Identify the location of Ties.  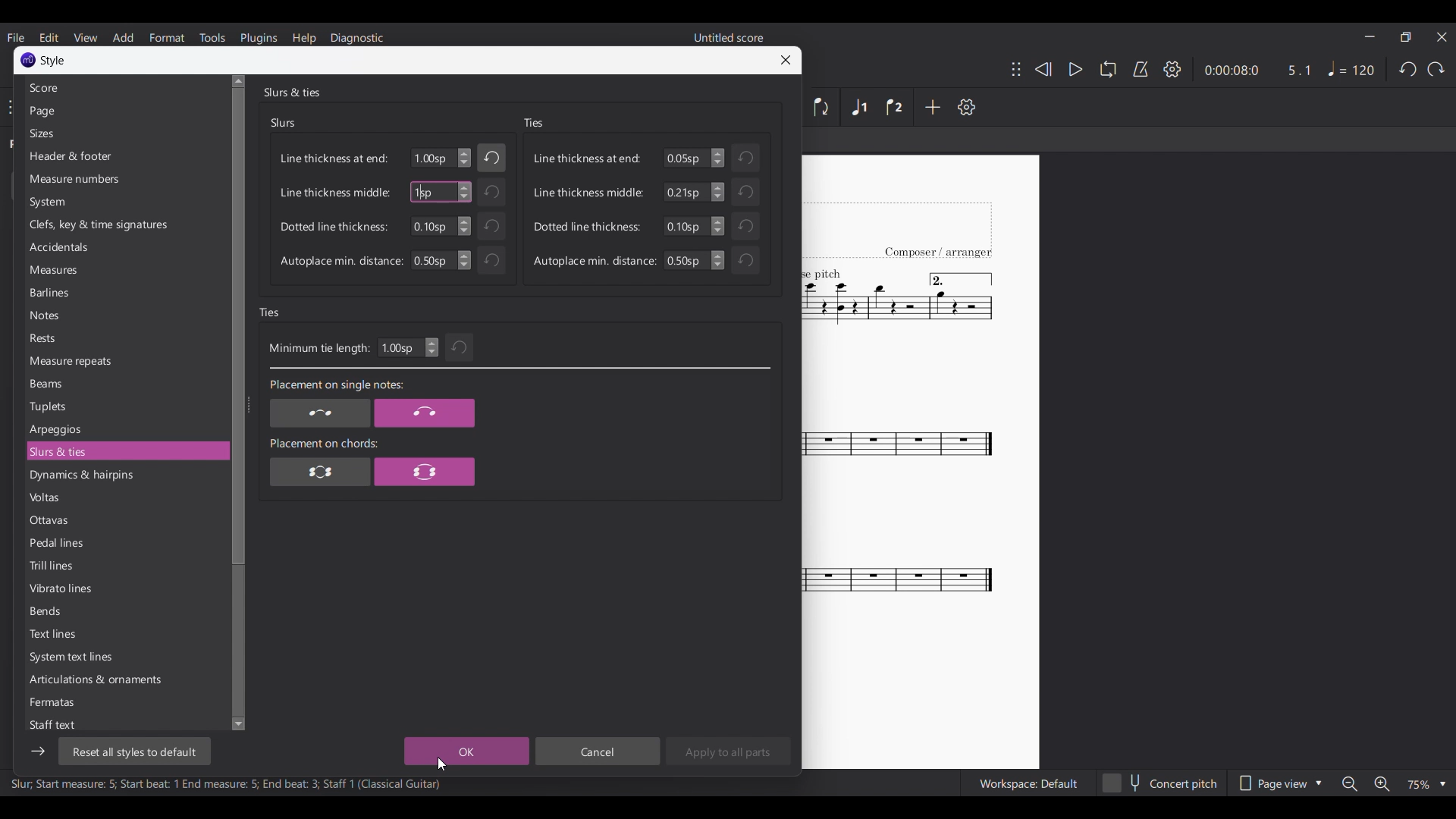
(533, 123).